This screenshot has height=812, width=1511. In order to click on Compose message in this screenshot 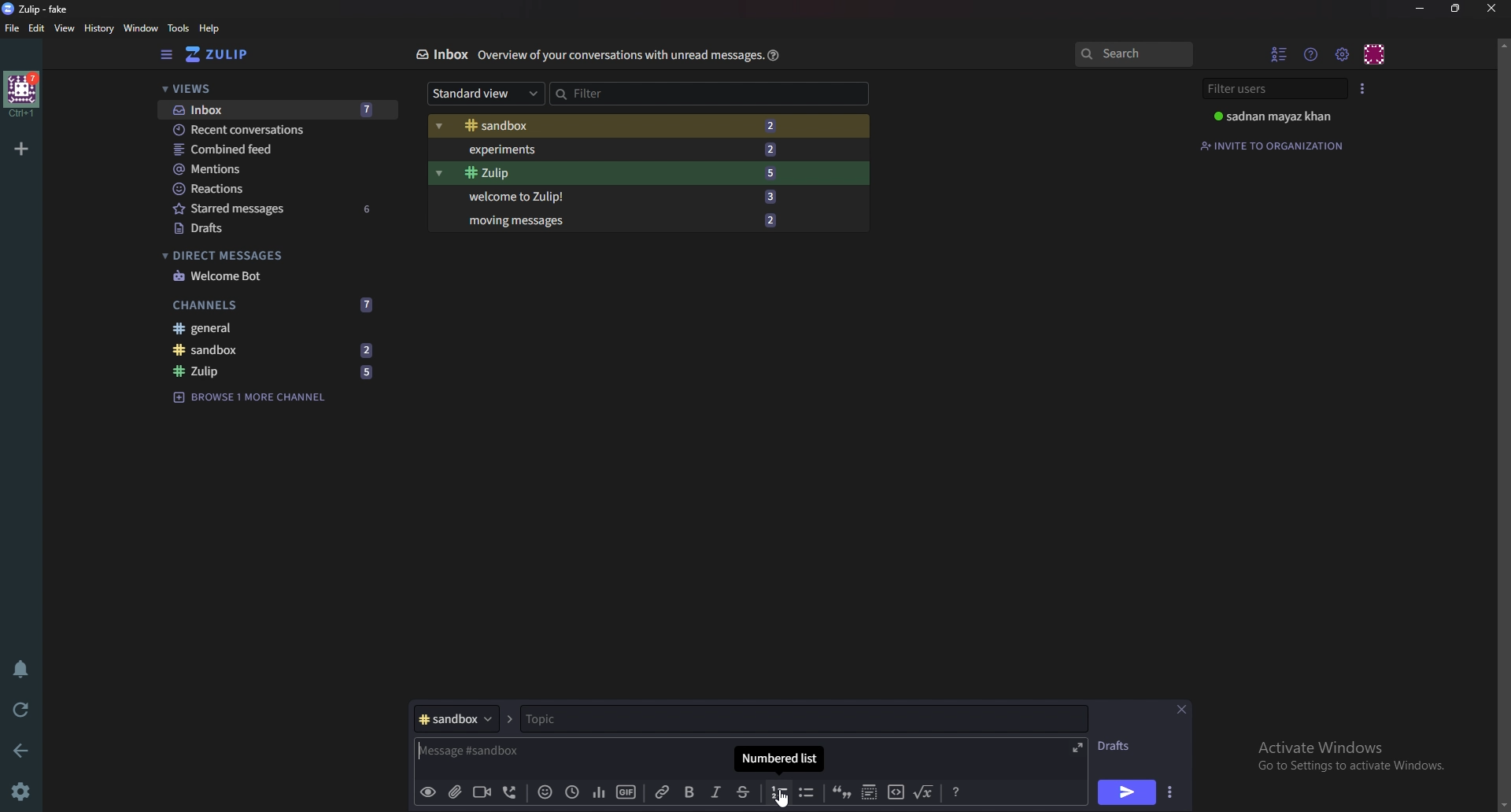, I will do `click(519, 752)`.